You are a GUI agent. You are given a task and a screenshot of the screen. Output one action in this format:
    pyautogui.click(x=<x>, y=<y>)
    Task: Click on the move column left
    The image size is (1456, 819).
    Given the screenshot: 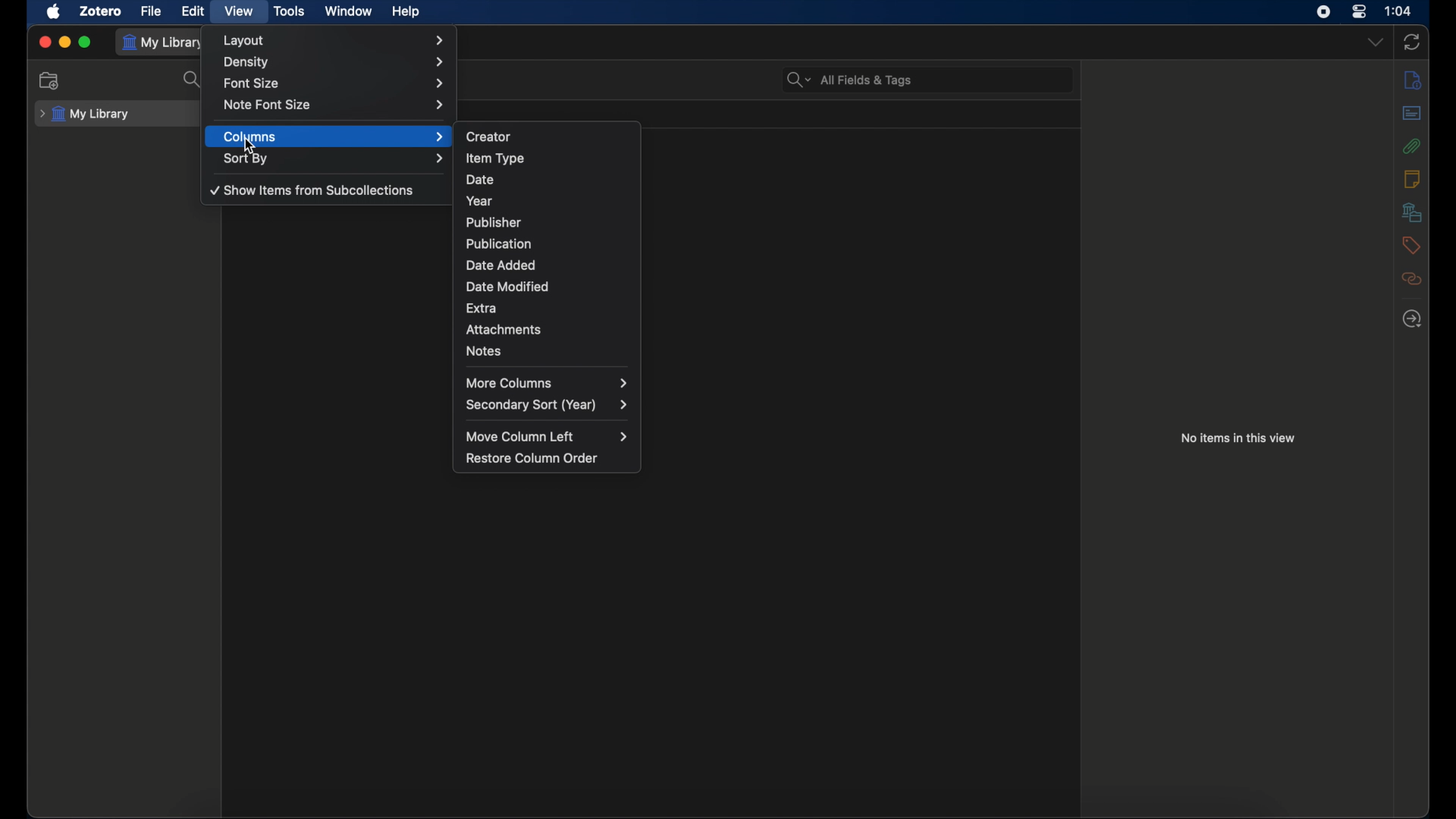 What is the action you would take?
    pyautogui.click(x=547, y=437)
    